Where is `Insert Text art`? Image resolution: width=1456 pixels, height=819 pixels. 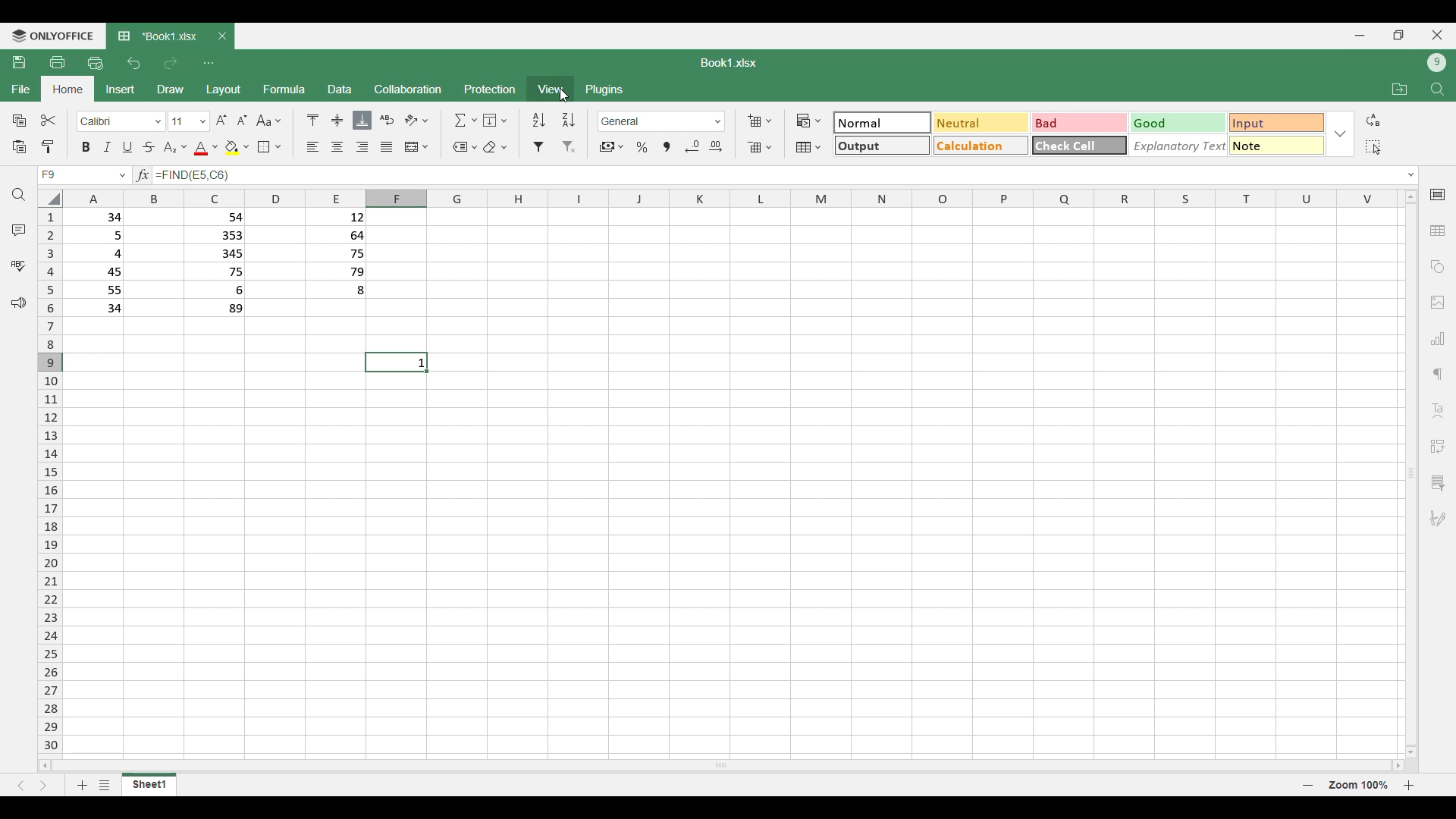 Insert Text art is located at coordinates (1438, 411).